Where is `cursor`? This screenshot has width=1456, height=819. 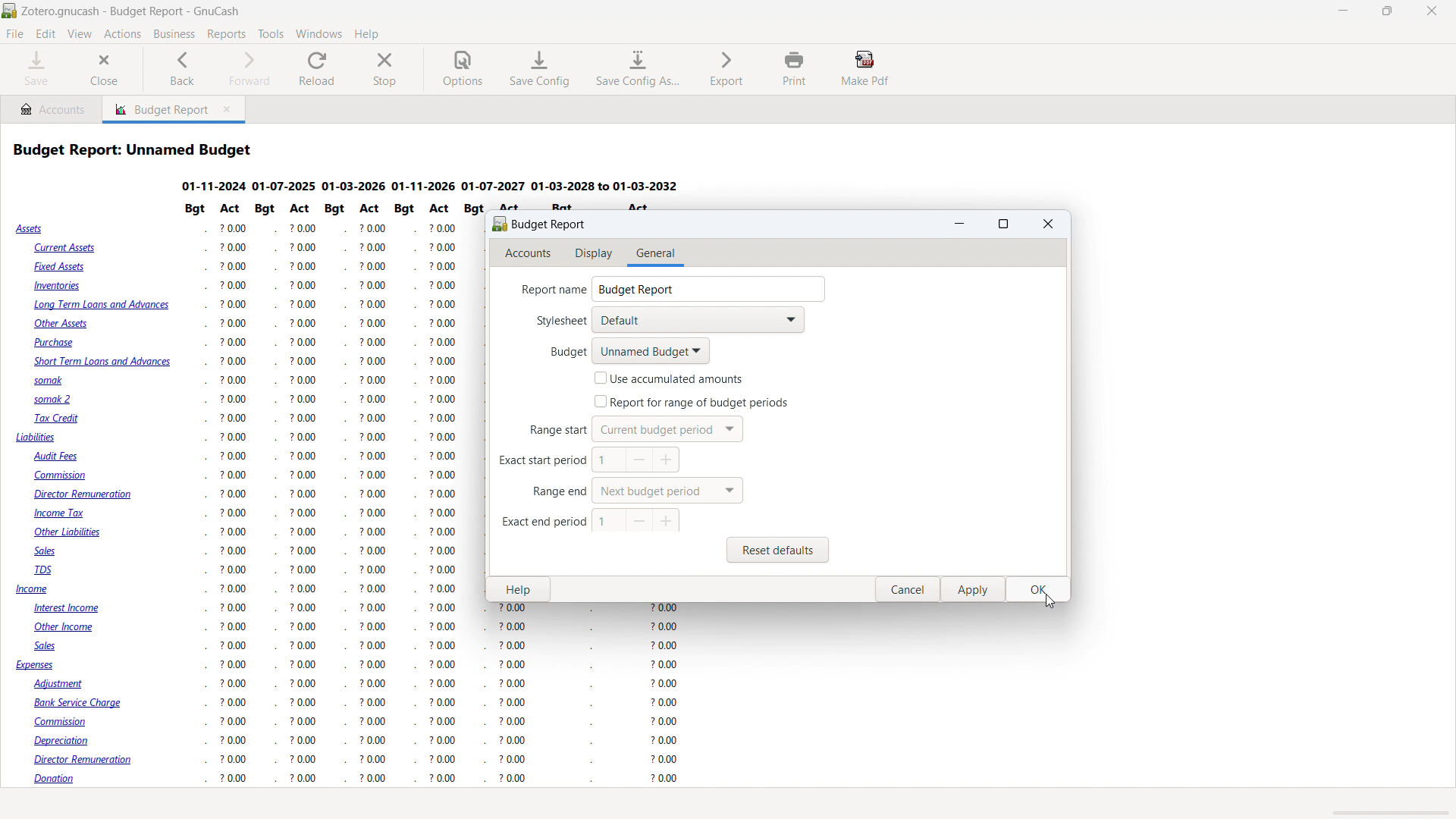 cursor is located at coordinates (1045, 603).